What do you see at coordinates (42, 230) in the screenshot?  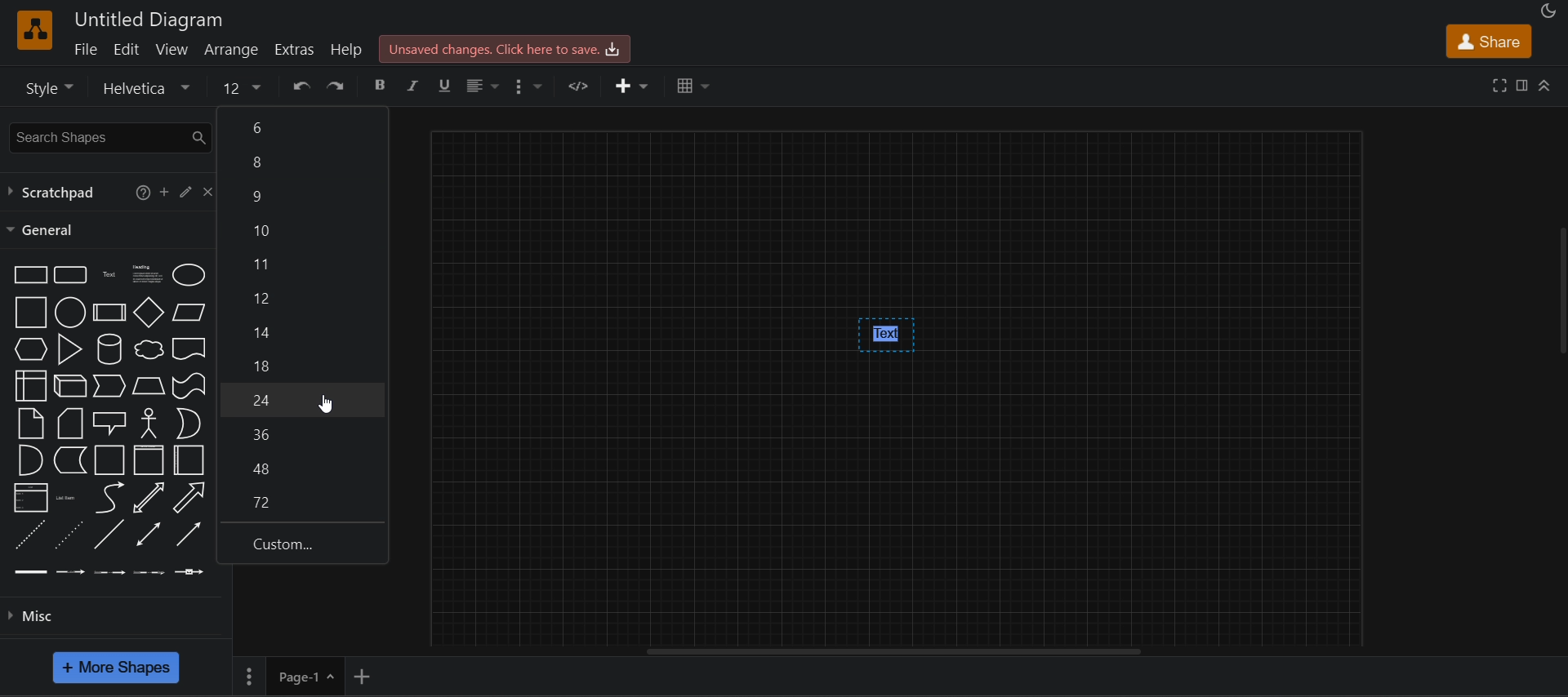 I see `general` at bounding box center [42, 230].